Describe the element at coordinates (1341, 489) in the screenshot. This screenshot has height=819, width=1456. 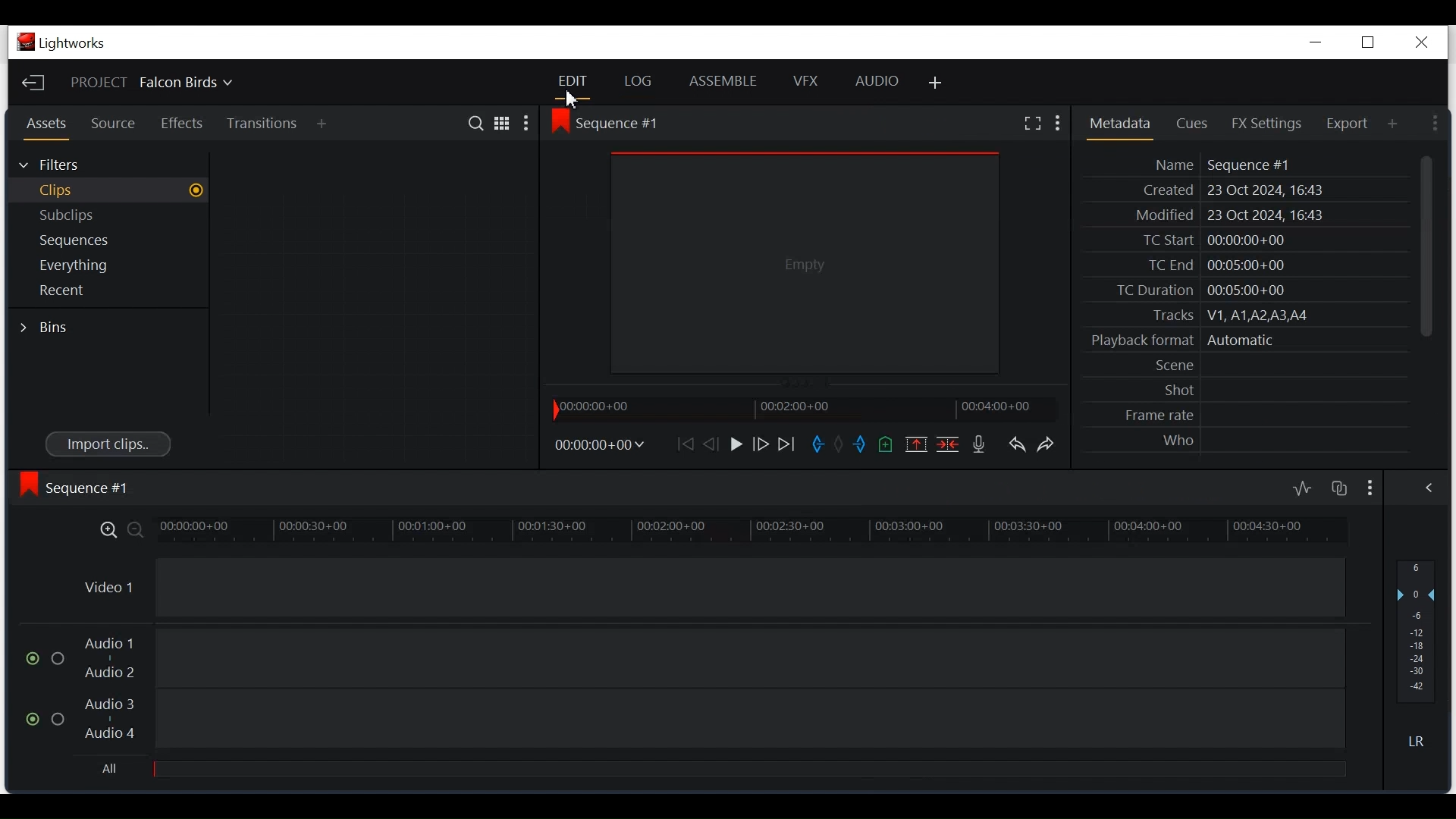
I see `Toggle auto track sync` at that location.